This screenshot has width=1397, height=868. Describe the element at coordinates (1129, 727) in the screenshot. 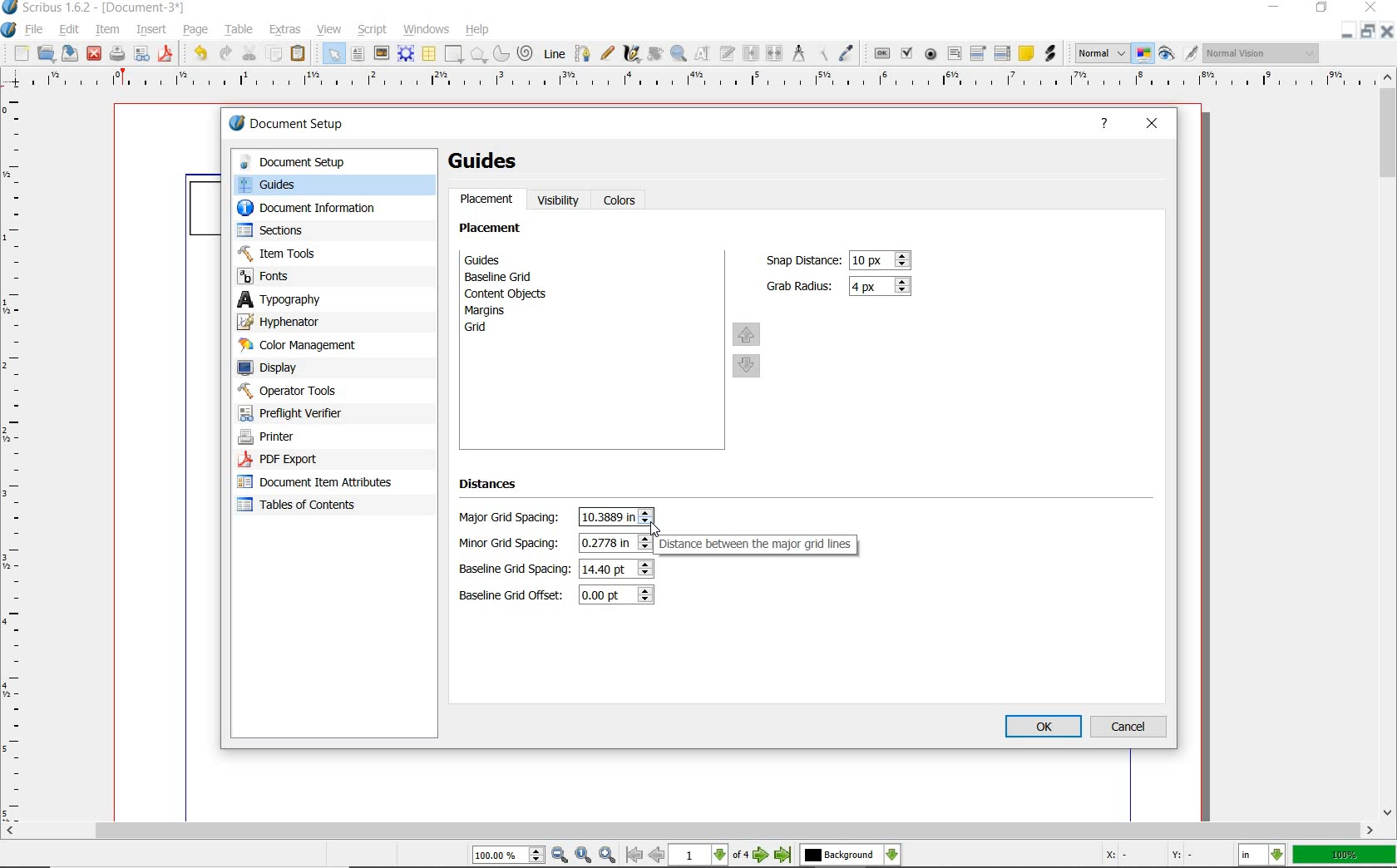

I see `cancel` at that location.